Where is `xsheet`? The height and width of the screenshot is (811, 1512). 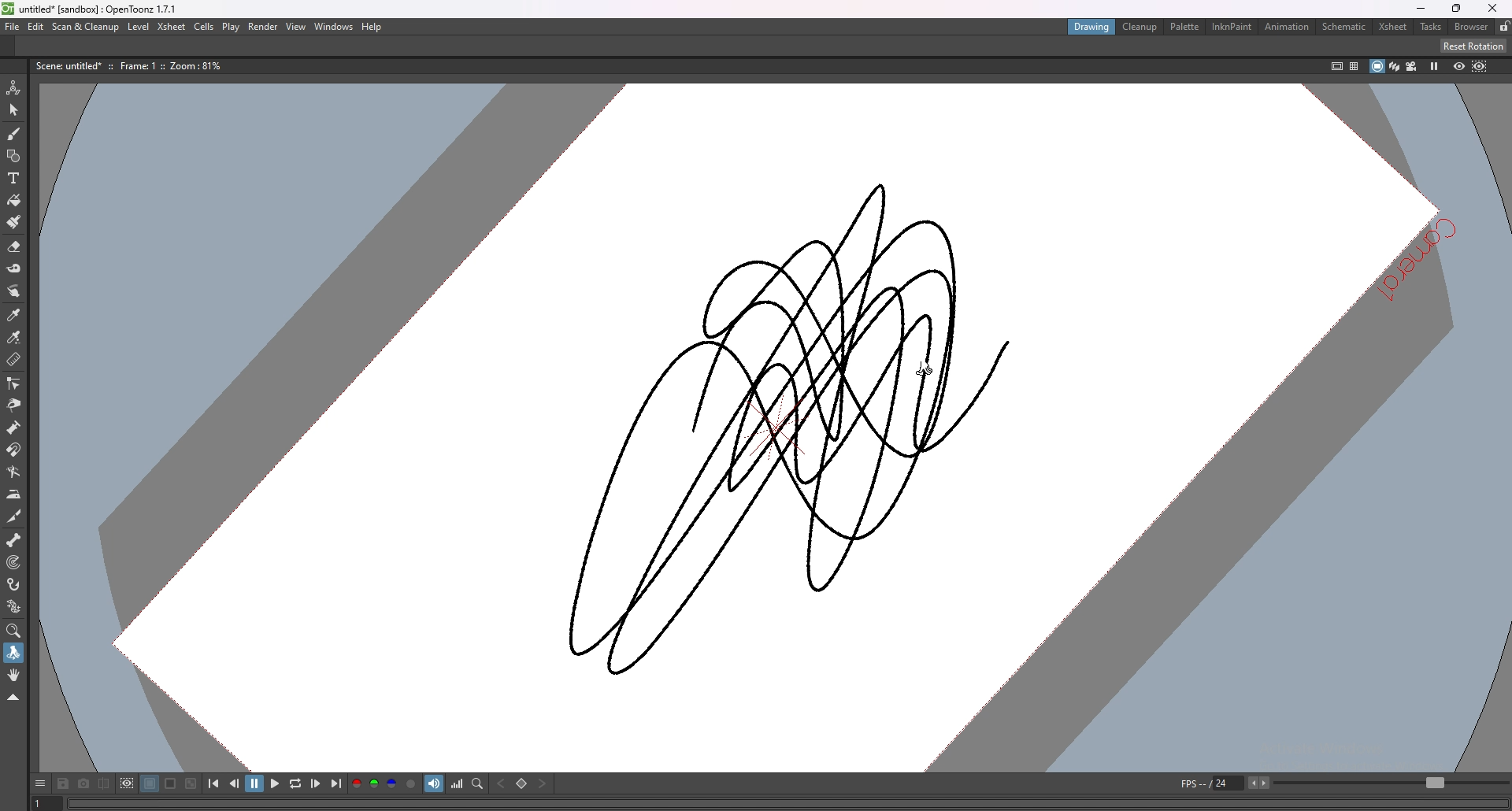 xsheet is located at coordinates (172, 26).